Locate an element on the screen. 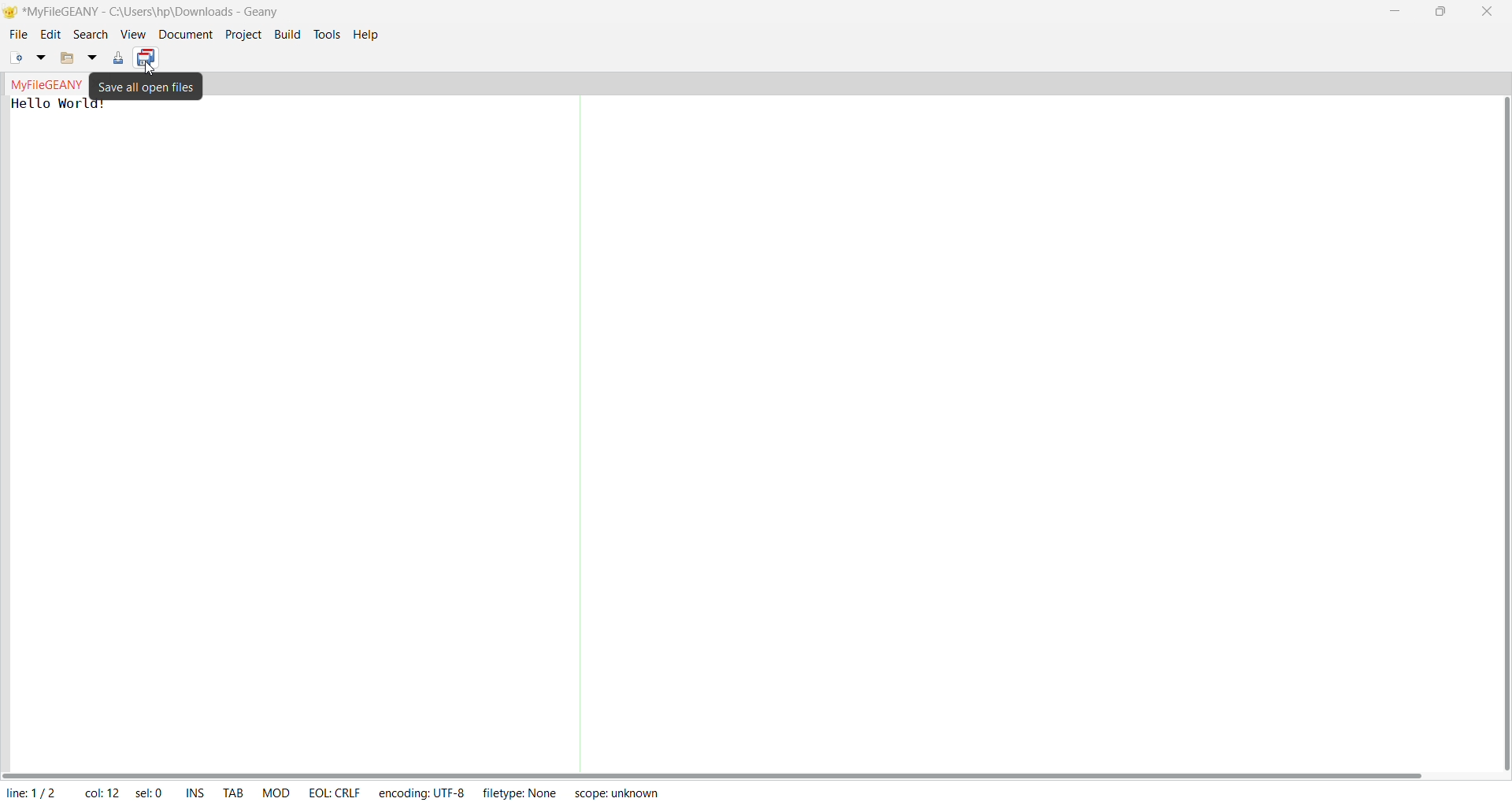 The image size is (1512, 802). TAB is located at coordinates (233, 790).